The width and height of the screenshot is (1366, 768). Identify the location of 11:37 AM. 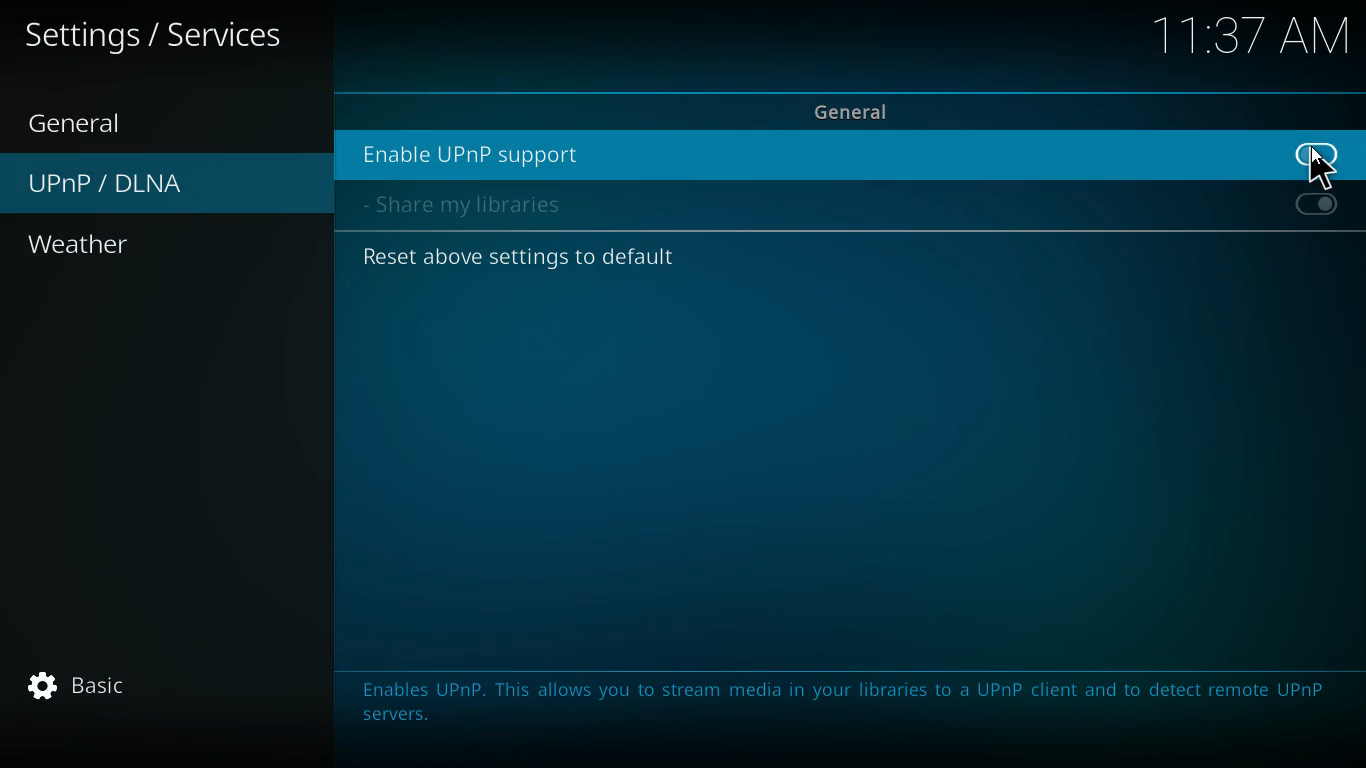
(1254, 38).